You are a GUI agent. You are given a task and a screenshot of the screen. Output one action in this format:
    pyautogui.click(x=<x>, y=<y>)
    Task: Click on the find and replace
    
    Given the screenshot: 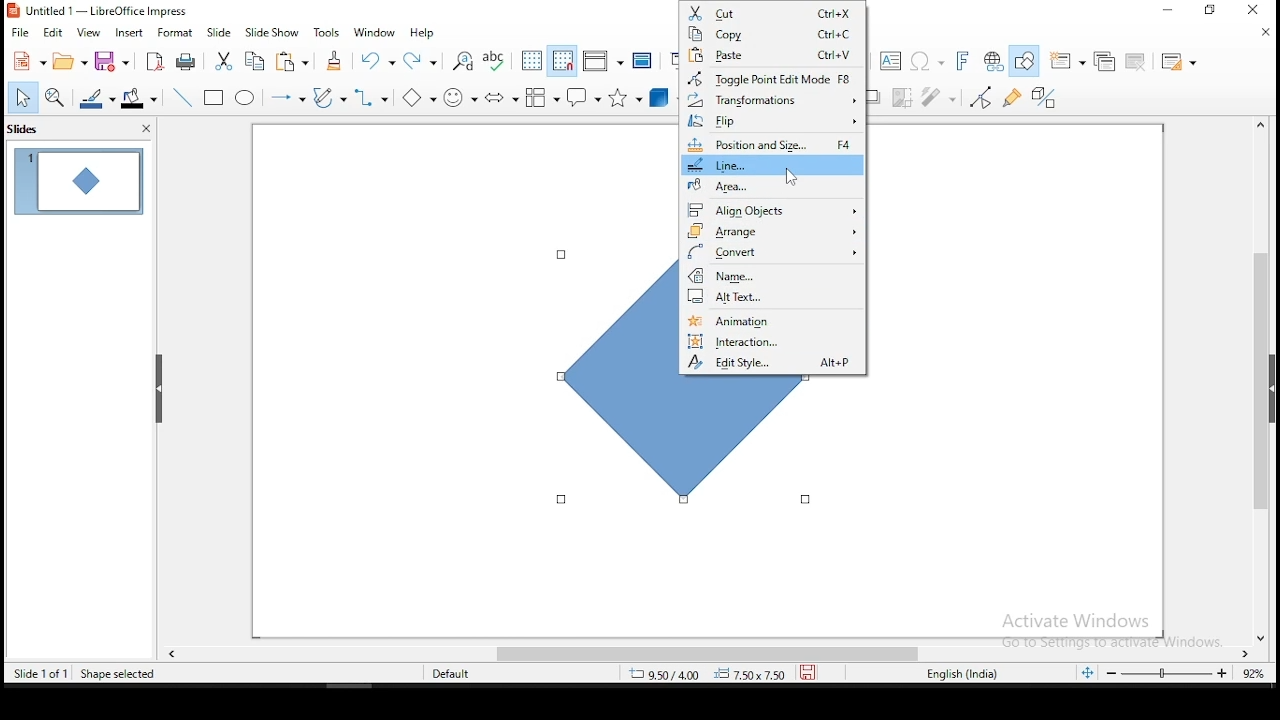 What is the action you would take?
    pyautogui.click(x=463, y=59)
    